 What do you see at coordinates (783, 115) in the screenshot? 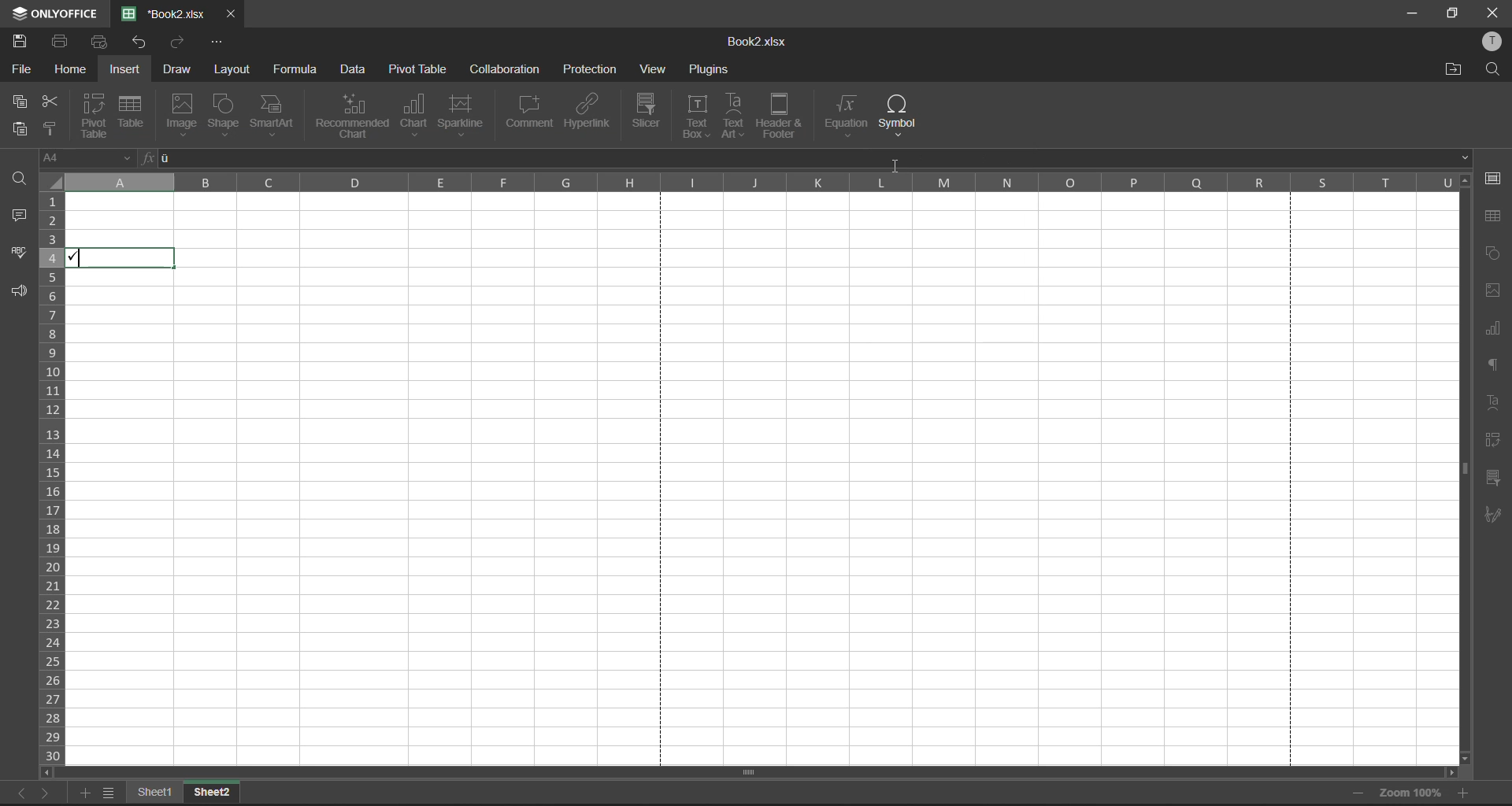
I see `header and footer` at bounding box center [783, 115].